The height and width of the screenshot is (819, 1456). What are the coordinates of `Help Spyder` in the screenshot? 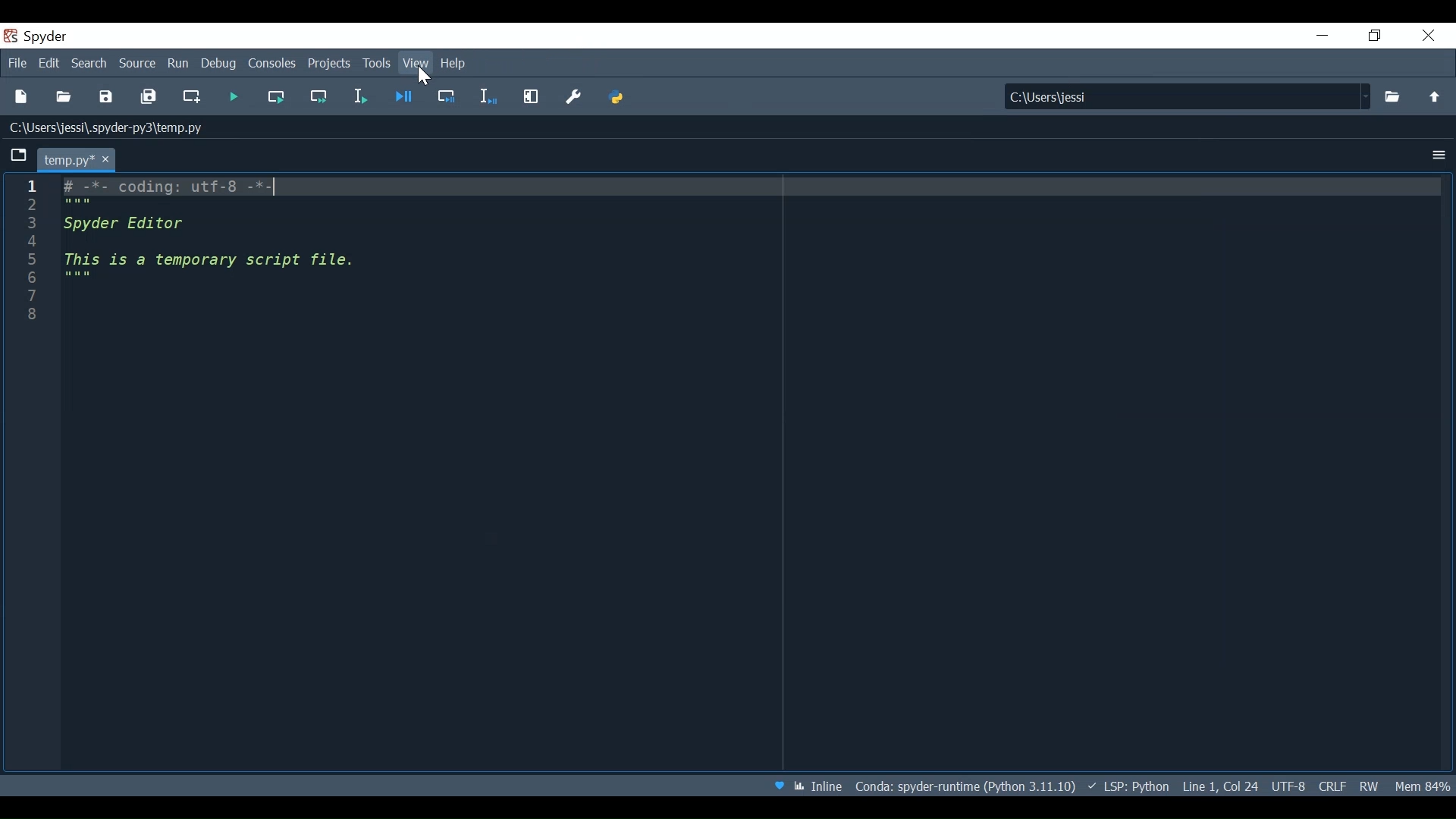 It's located at (777, 786).